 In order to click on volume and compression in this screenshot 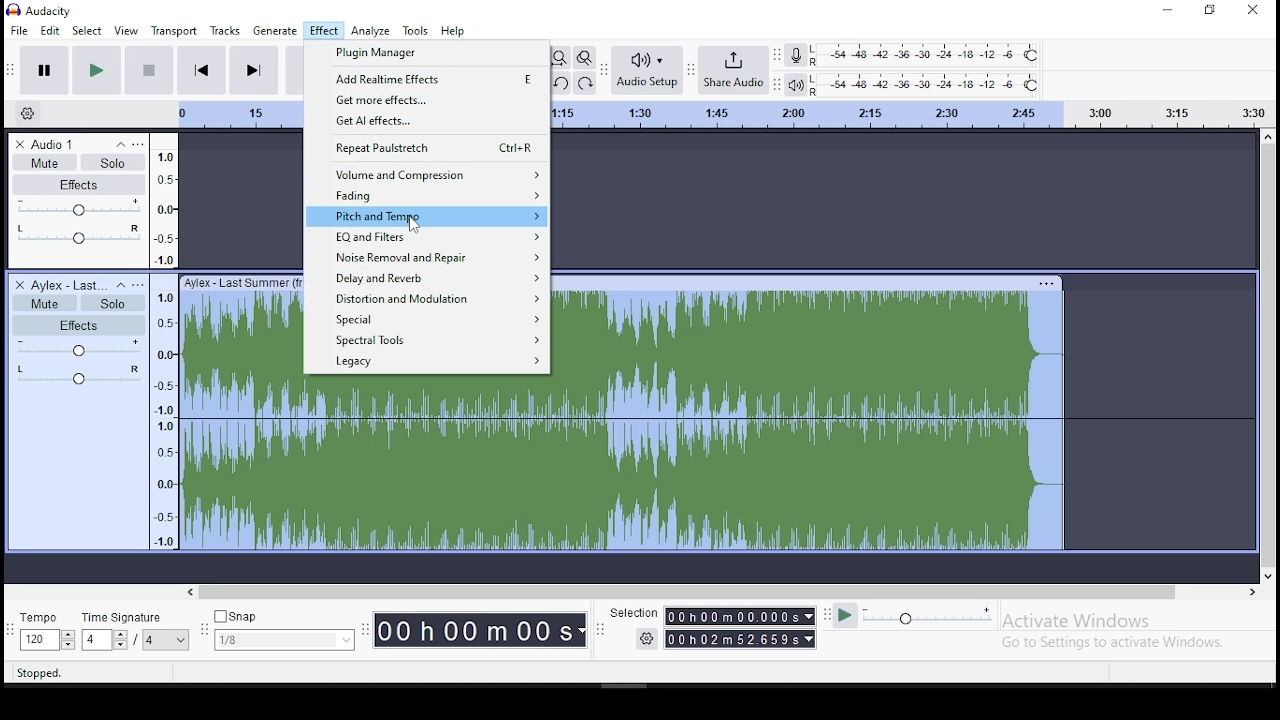, I will do `click(427, 174)`.